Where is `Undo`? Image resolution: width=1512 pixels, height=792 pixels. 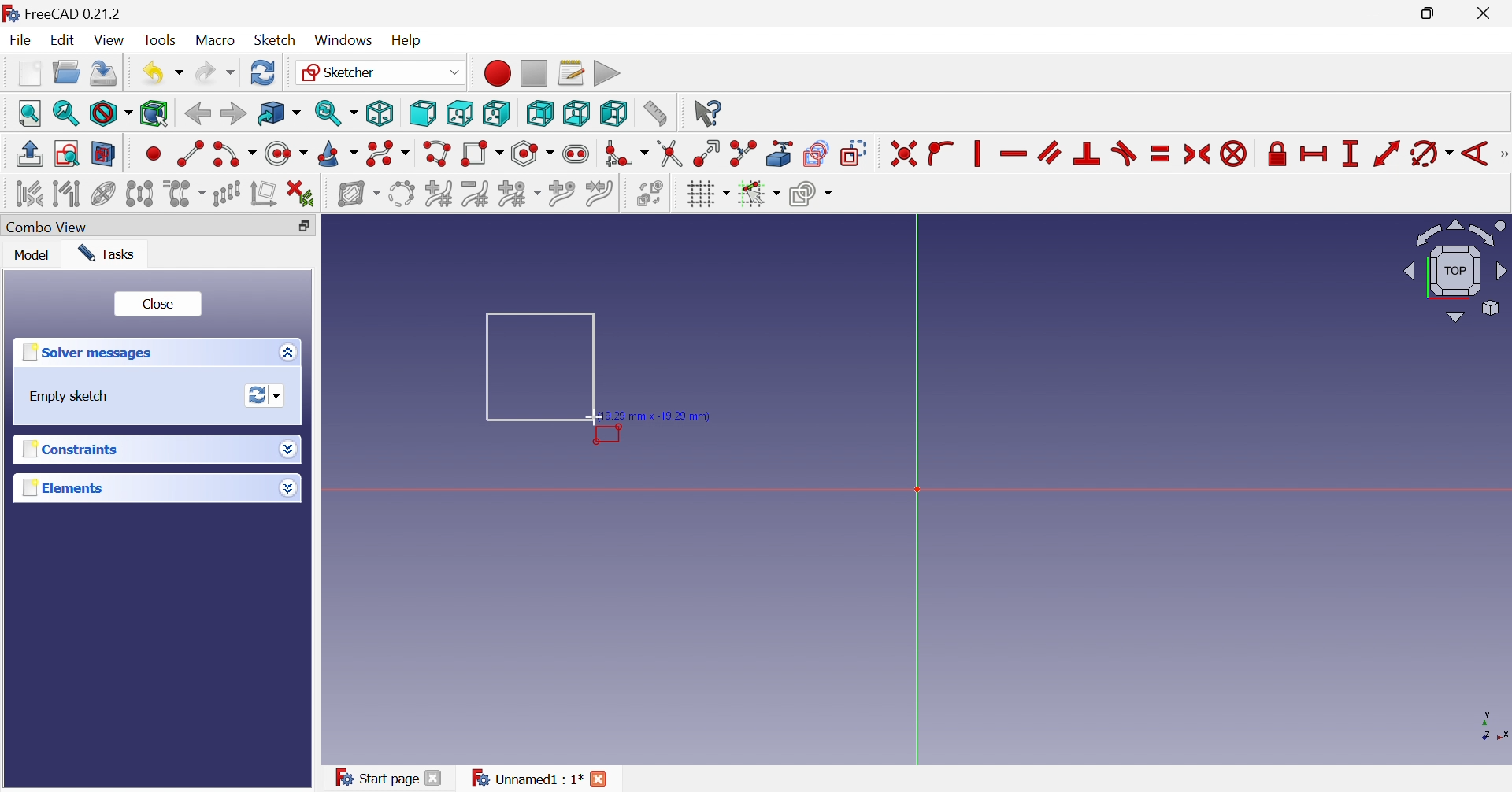 Undo is located at coordinates (161, 73).